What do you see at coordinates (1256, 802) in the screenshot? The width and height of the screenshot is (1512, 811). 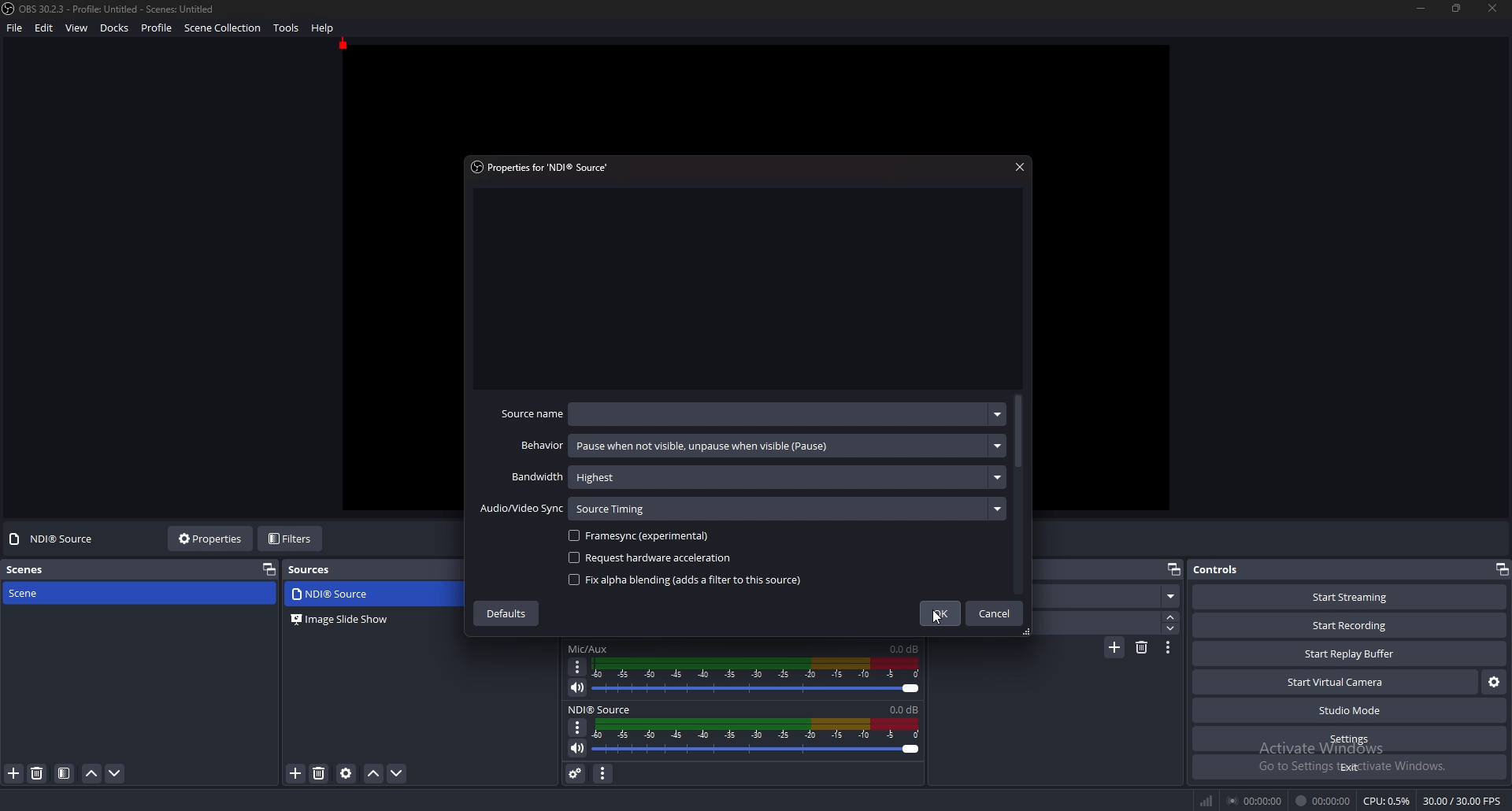 I see `streaming duration` at bounding box center [1256, 802].